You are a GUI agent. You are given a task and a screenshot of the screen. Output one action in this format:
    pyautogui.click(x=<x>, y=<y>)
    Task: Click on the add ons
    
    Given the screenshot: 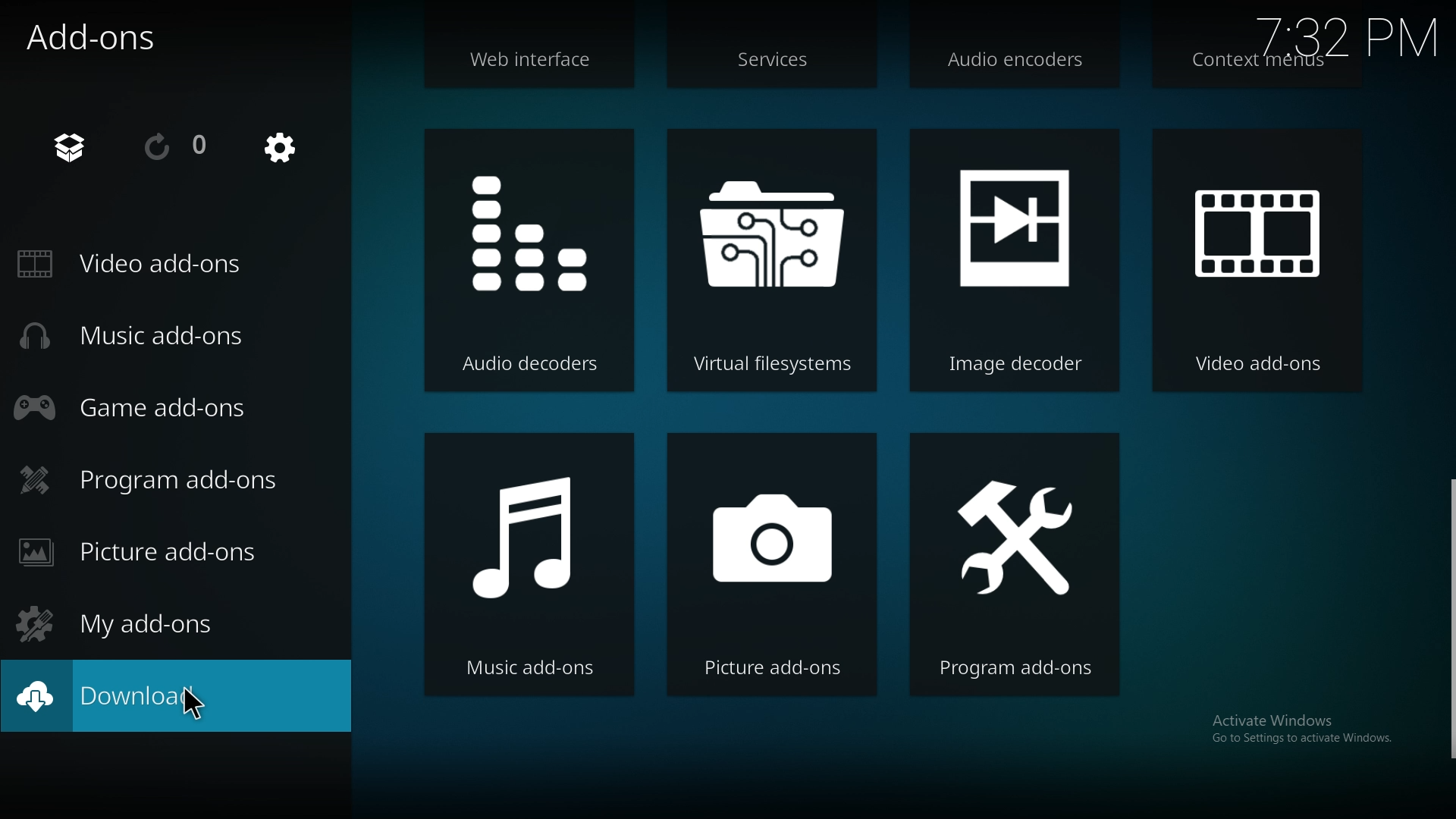 What is the action you would take?
    pyautogui.click(x=103, y=37)
    